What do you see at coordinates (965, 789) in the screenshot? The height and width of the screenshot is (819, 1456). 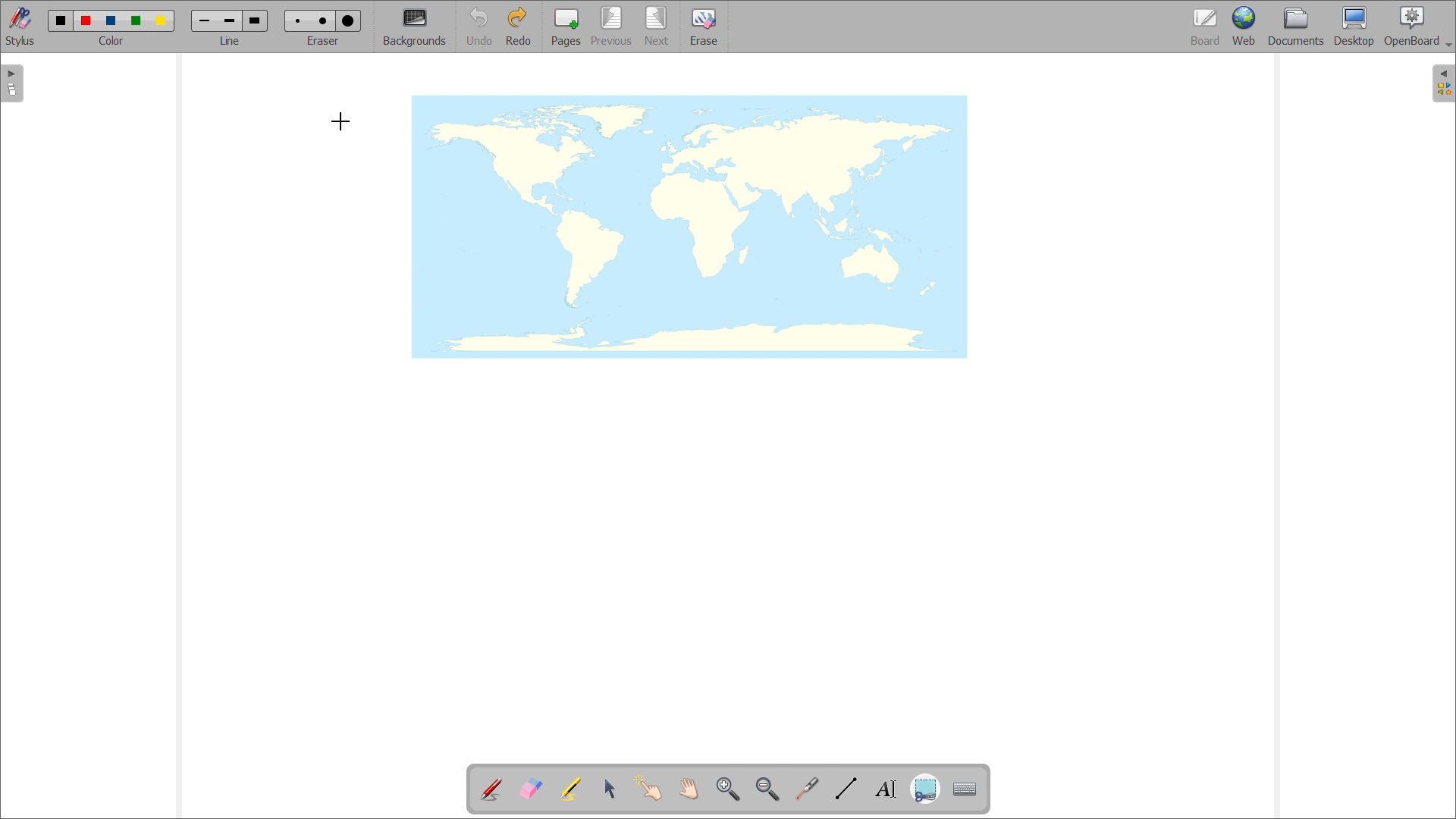 I see `virtual keyboard` at bounding box center [965, 789].